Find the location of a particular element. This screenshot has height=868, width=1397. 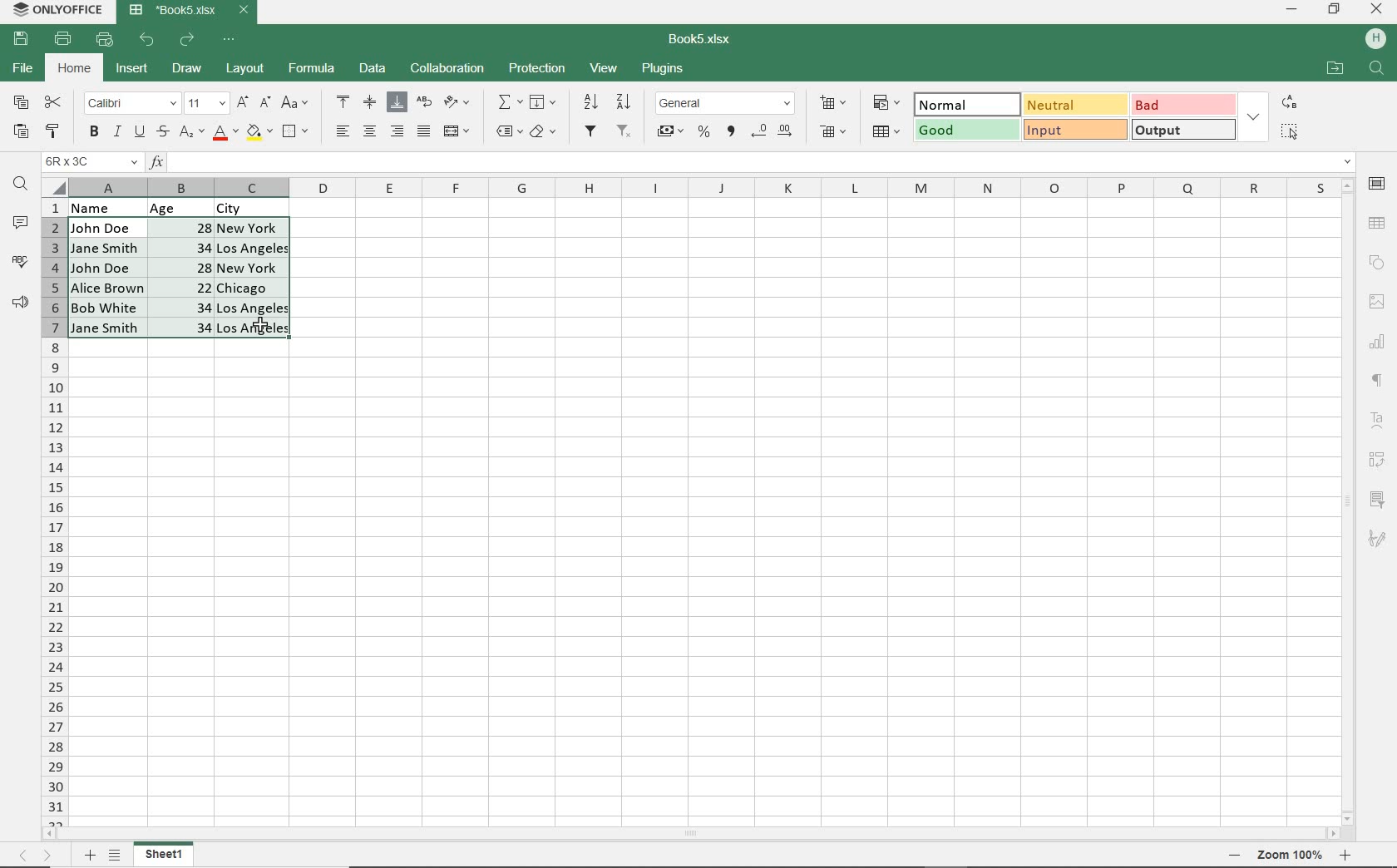

CHART is located at coordinates (1378, 341).